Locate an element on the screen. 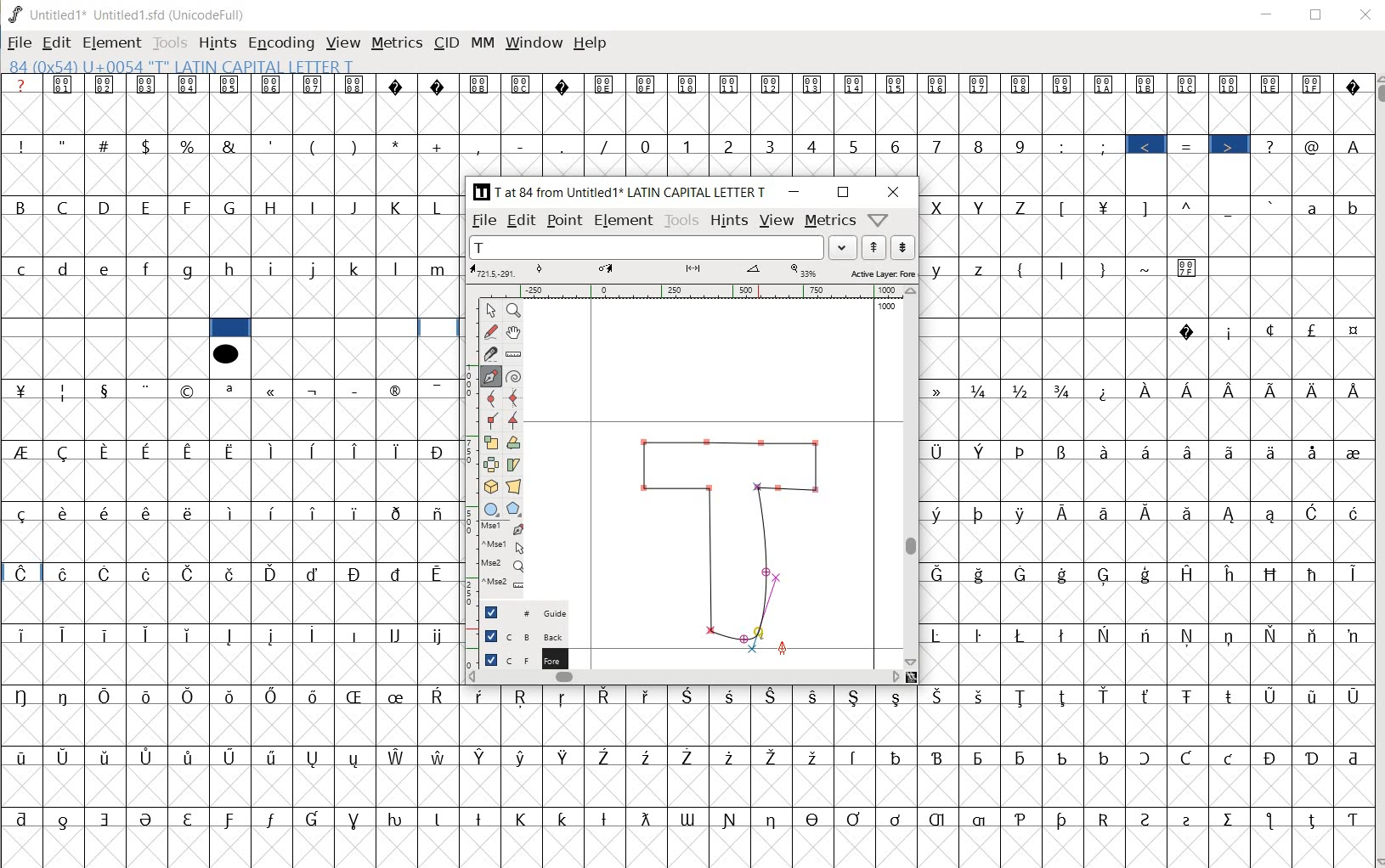 The height and width of the screenshot is (868, 1385). hints is located at coordinates (218, 42).